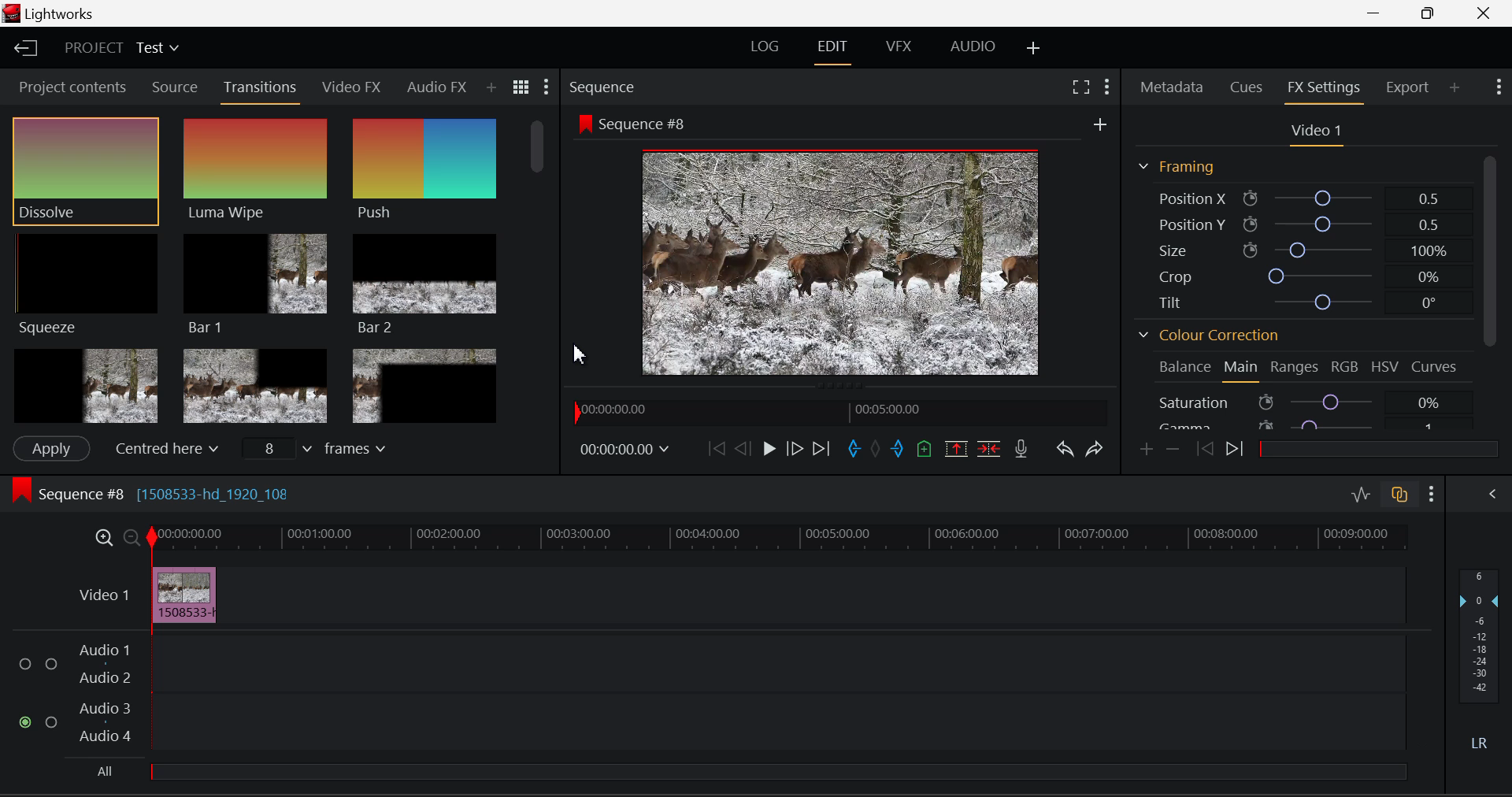 This screenshot has height=797, width=1512. What do you see at coordinates (958, 448) in the screenshot?
I see `Remove marked section` at bounding box center [958, 448].